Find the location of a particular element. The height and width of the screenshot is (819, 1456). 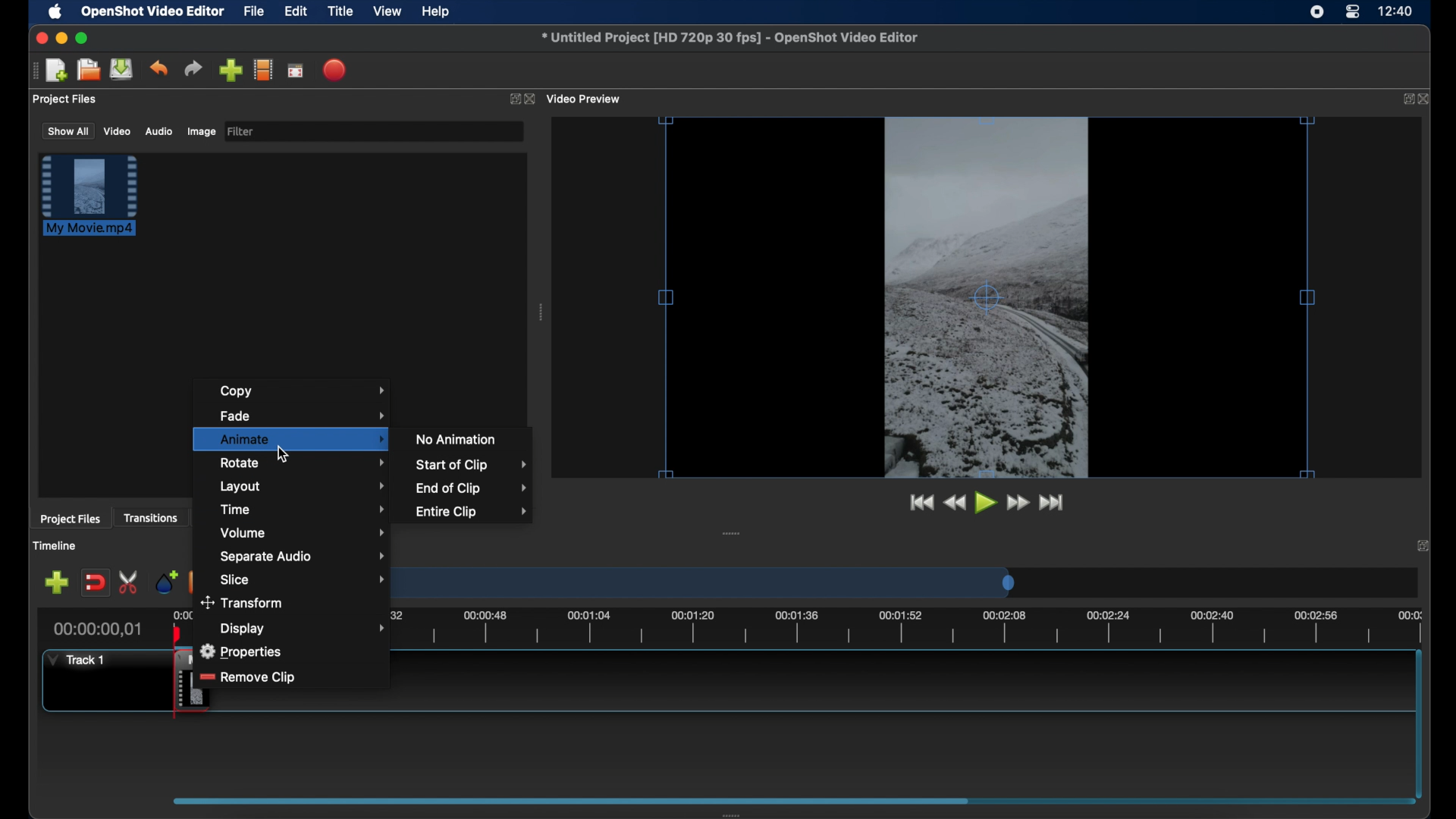

current time indicator is located at coordinates (99, 629).